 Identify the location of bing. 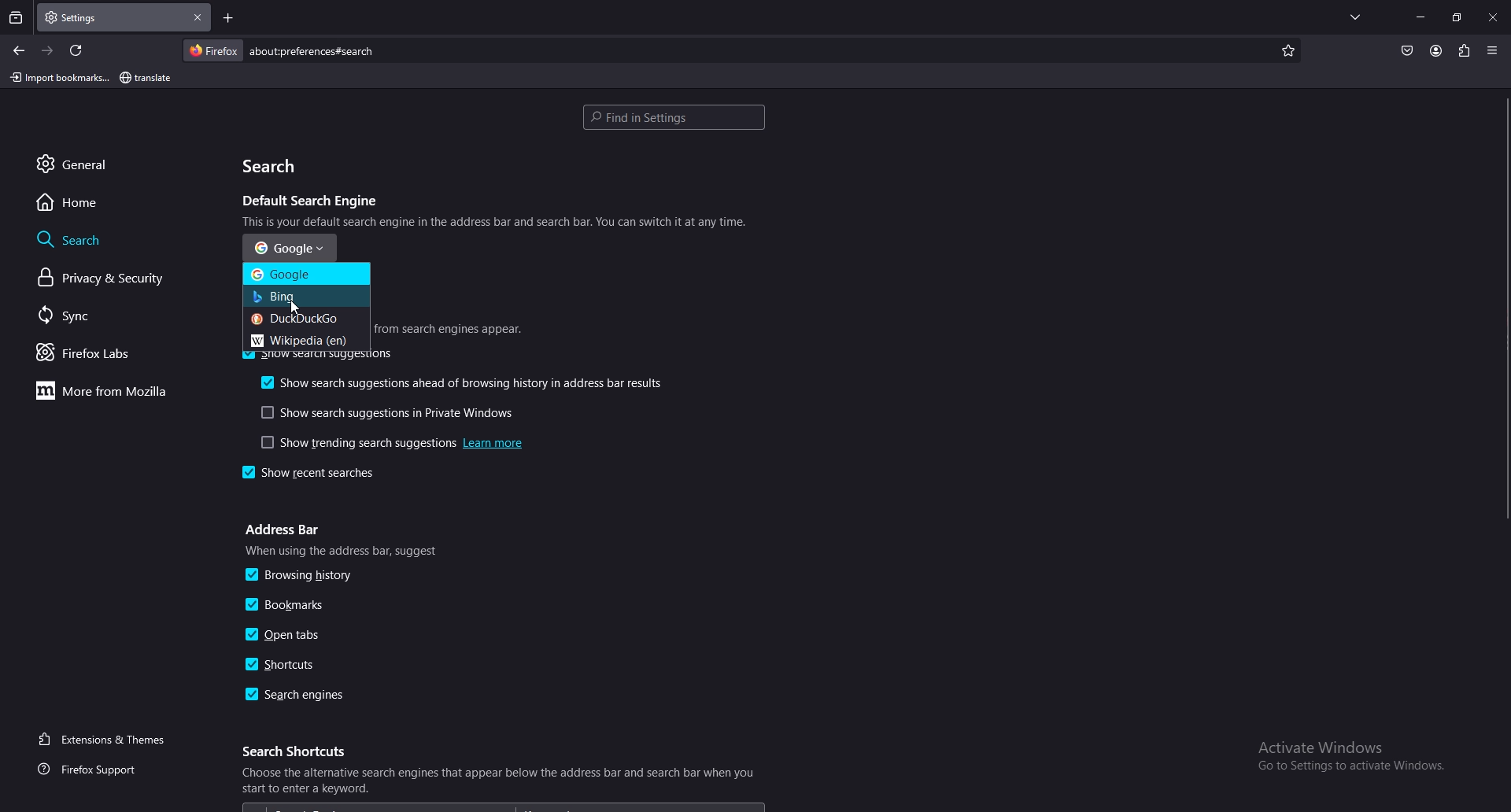
(306, 297).